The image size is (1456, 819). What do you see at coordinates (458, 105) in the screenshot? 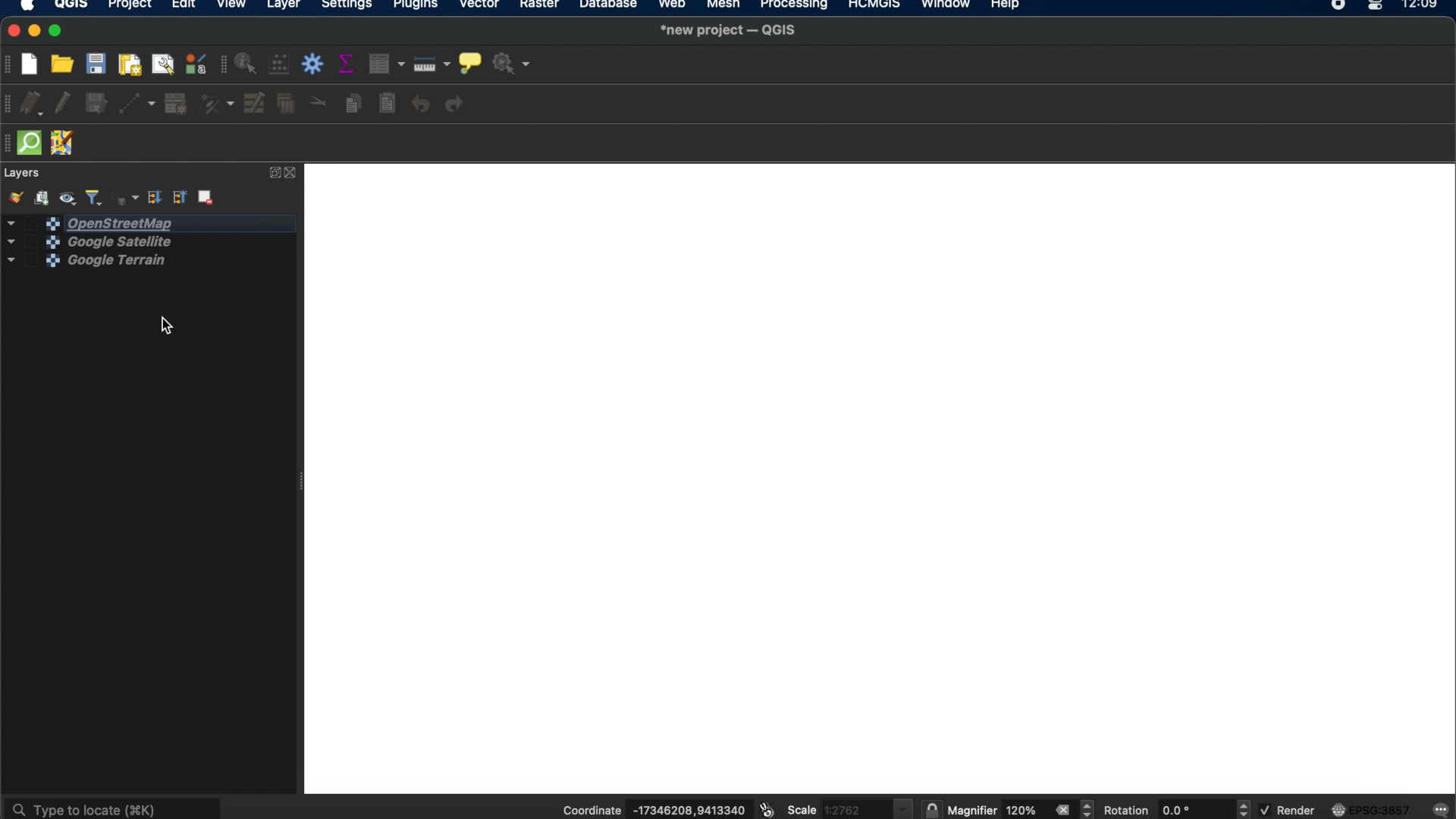
I see `redo` at bounding box center [458, 105].